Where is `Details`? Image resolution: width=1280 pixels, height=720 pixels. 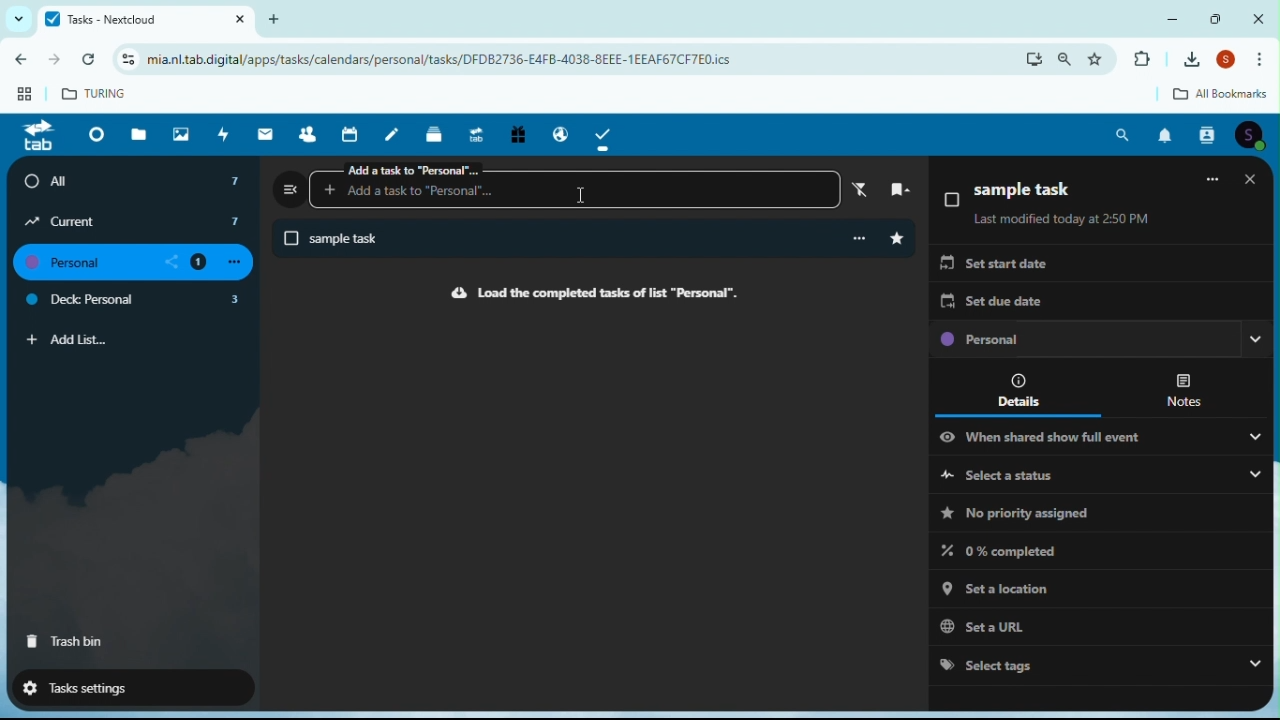 Details is located at coordinates (1024, 389).